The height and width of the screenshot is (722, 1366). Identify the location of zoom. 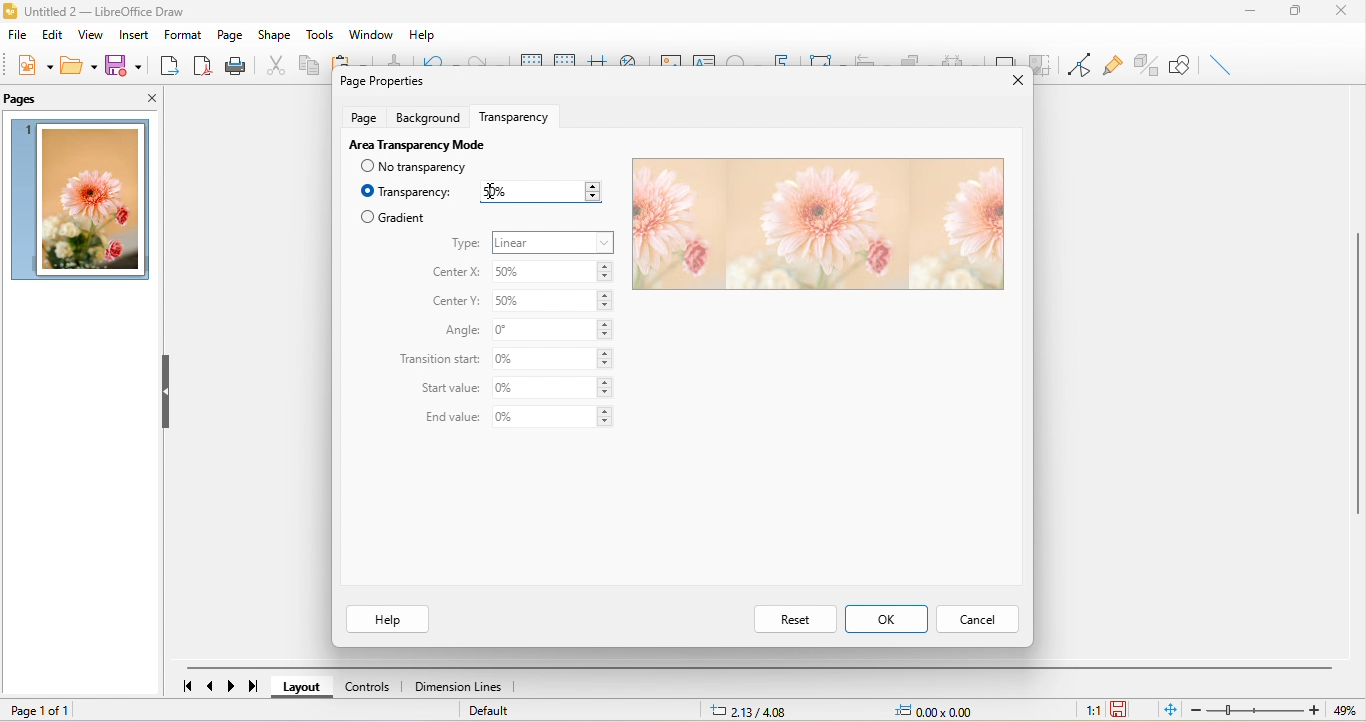
(1271, 710).